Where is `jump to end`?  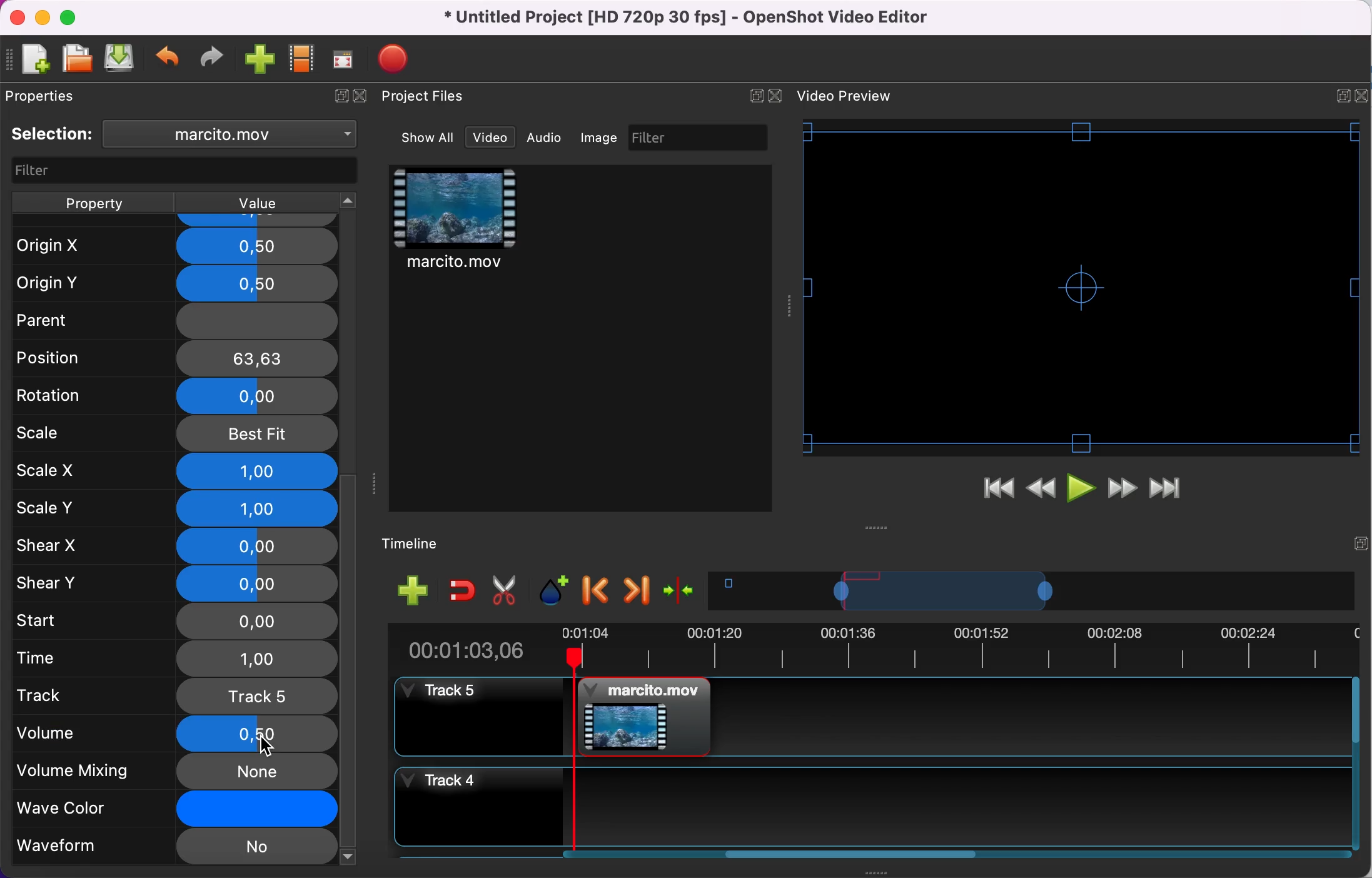
jump to end is located at coordinates (1166, 490).